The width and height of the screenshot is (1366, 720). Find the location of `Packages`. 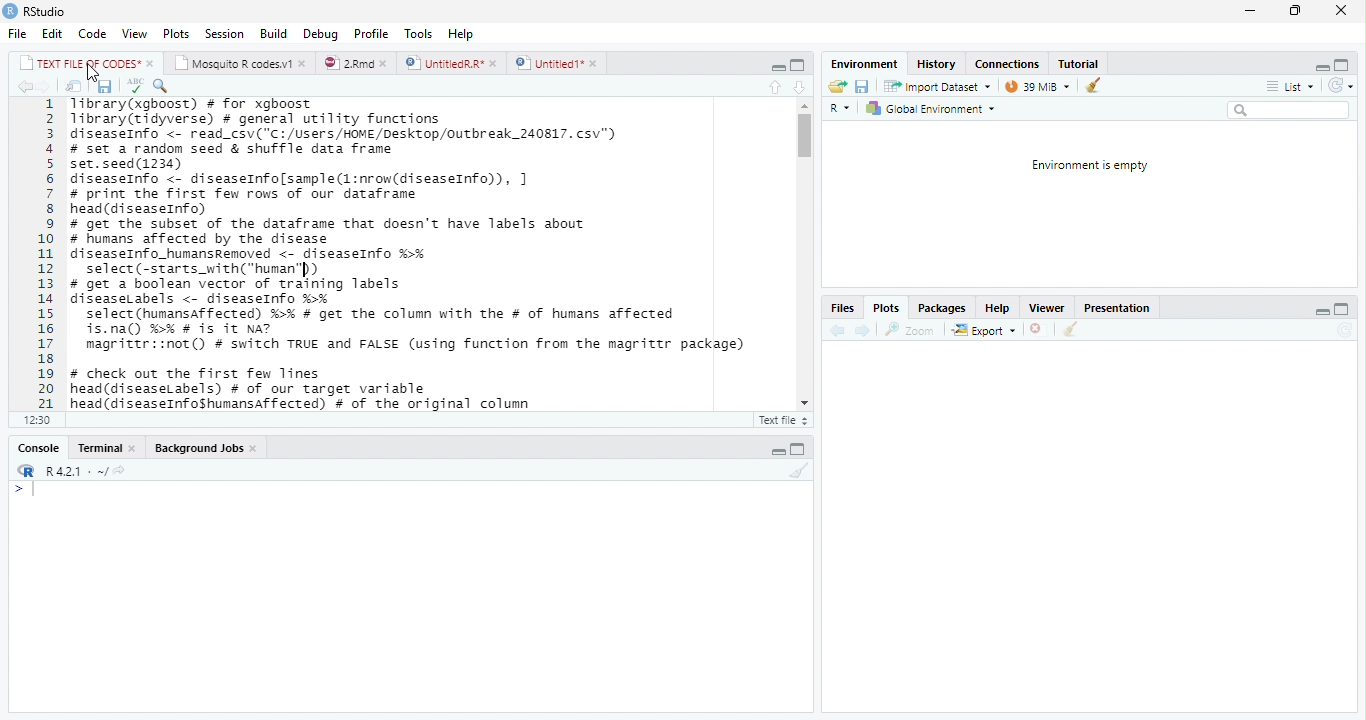

Packages is located at coordinates (942, 308).